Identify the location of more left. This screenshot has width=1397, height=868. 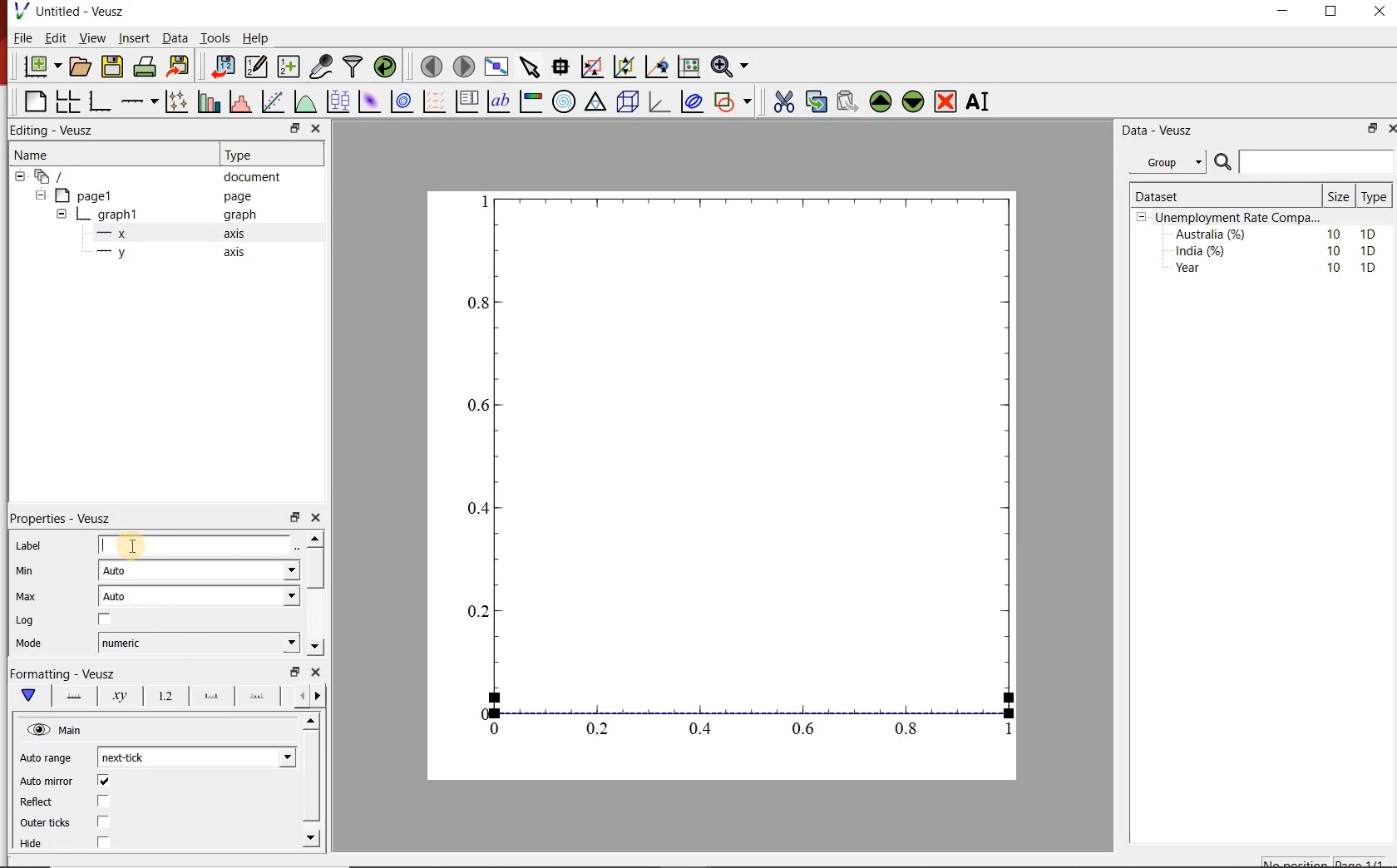
(299, 695).